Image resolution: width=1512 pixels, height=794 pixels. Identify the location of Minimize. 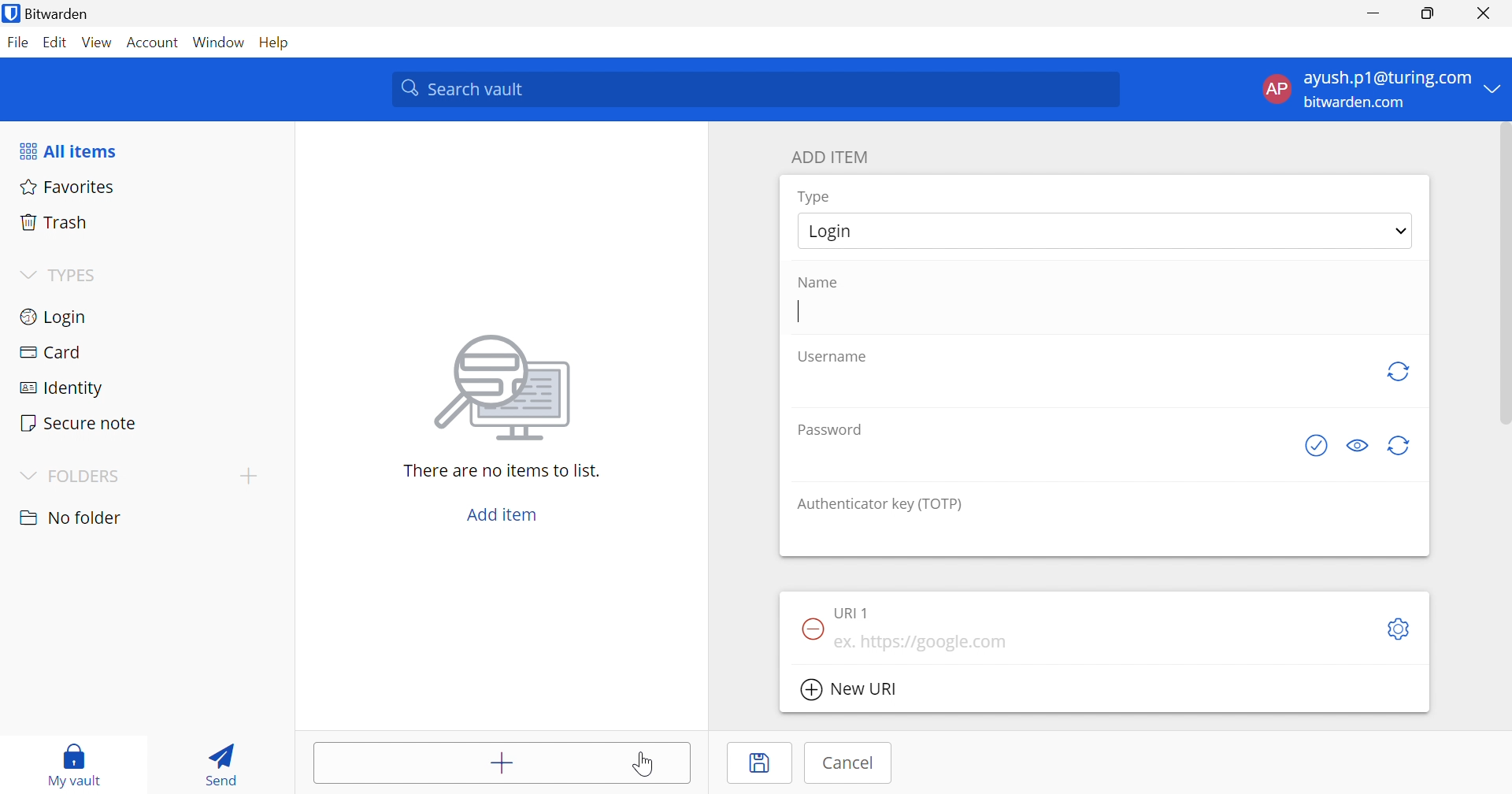
(1373, 13).